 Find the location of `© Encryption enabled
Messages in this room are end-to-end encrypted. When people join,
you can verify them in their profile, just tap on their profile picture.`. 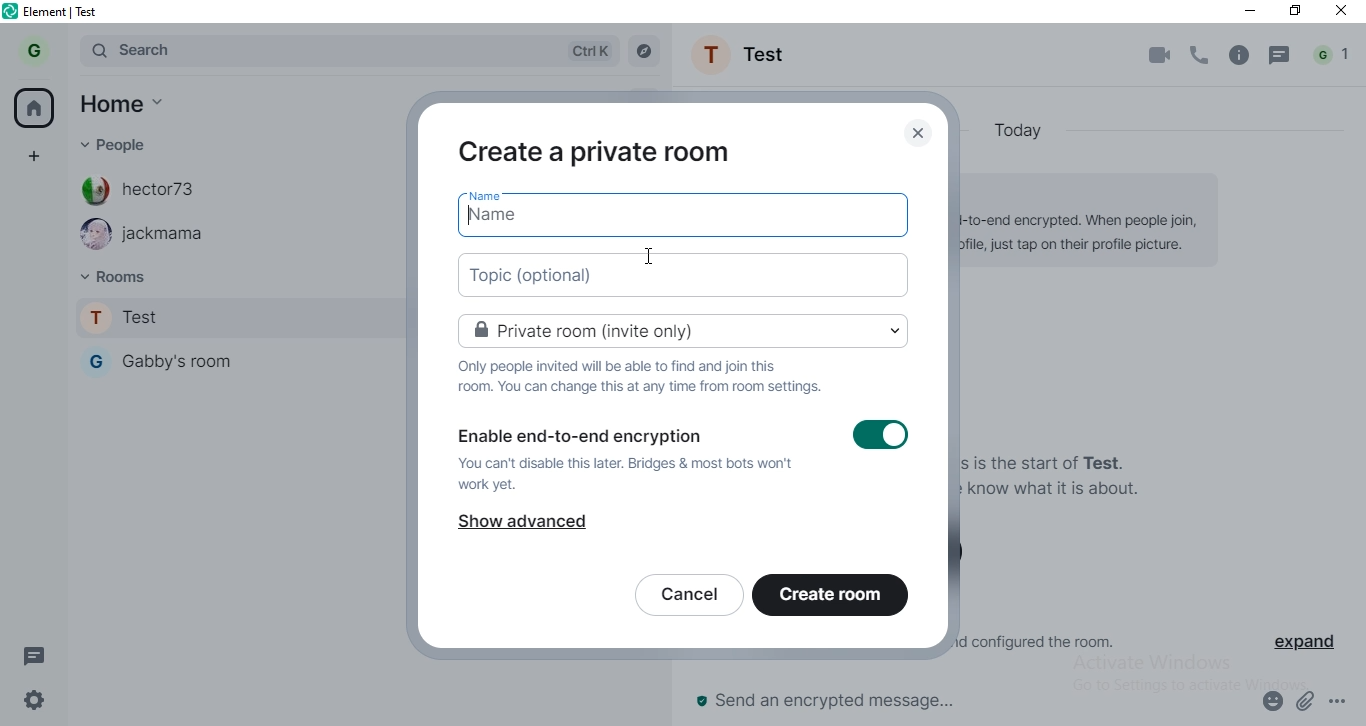

© Encryption enabled
Messages in this room are end-to-end encrypted. When people join,
you can verify them in their profile, just tap on their profile picture. is located at coordinates (1095, 227).